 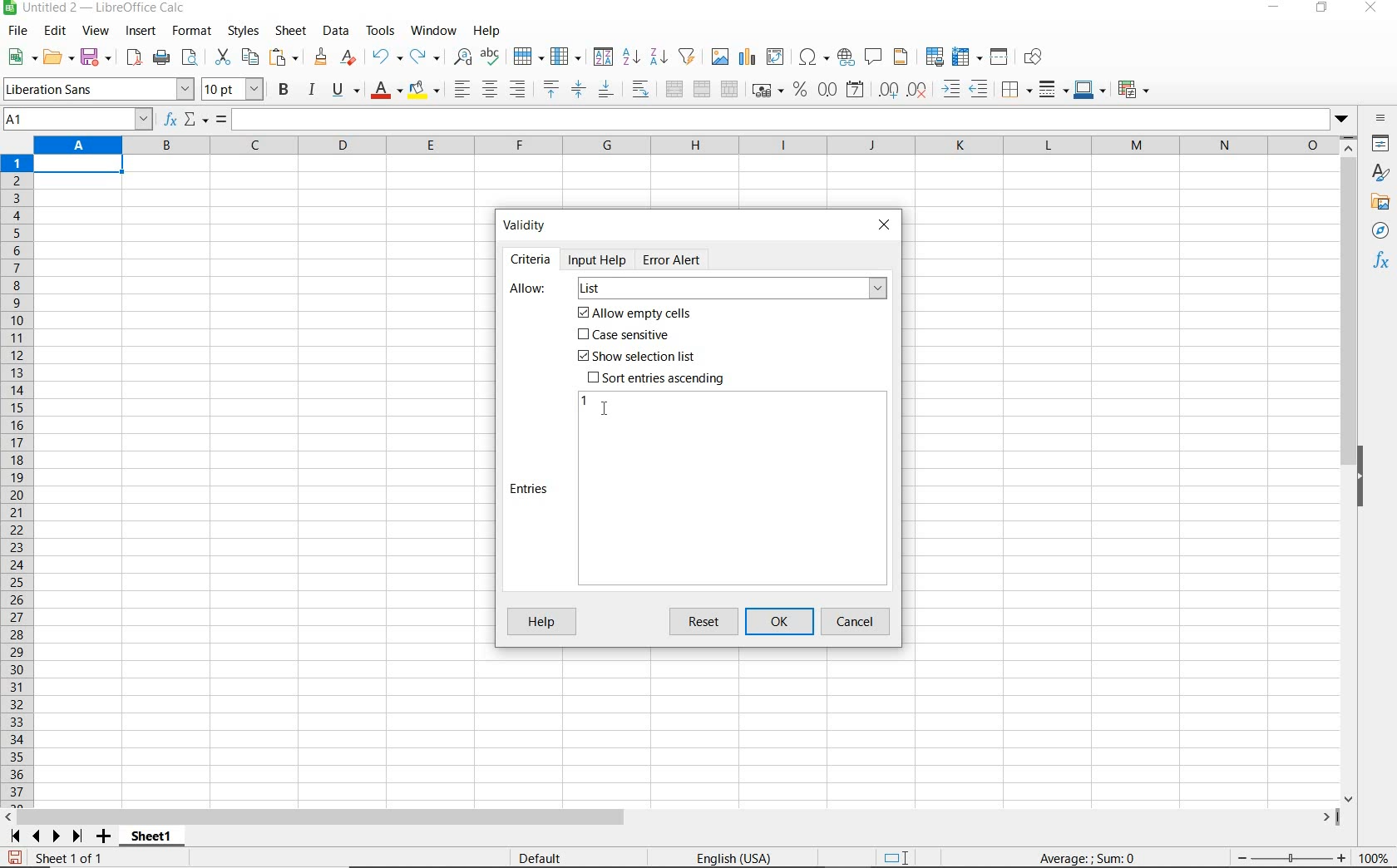 What do you see at coordinates (933, 57) in the screenshot?
I see `define print area` at bounding box center [933, 57].